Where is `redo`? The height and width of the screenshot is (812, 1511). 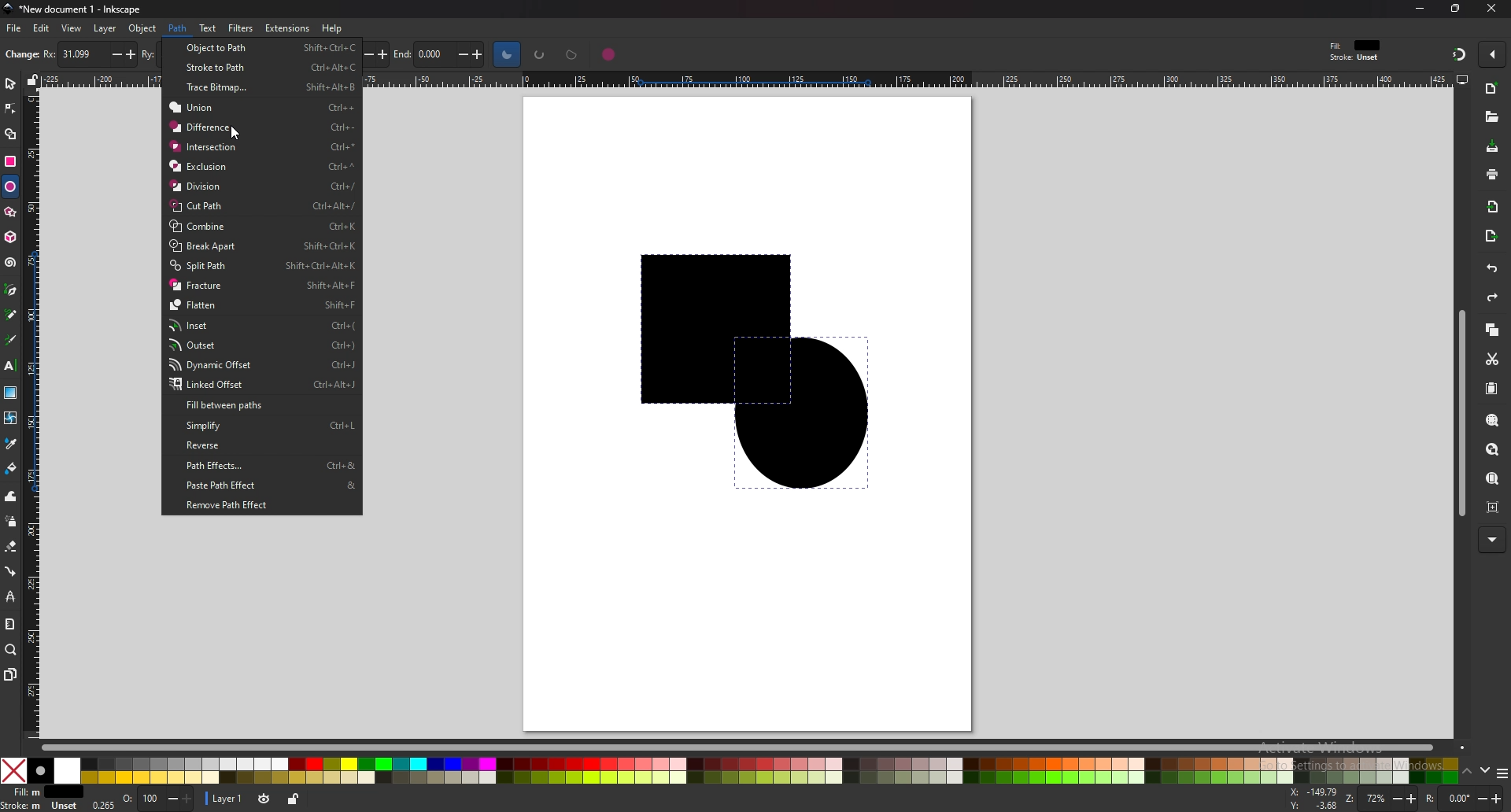 redo is located at coordinates (1492, 297).